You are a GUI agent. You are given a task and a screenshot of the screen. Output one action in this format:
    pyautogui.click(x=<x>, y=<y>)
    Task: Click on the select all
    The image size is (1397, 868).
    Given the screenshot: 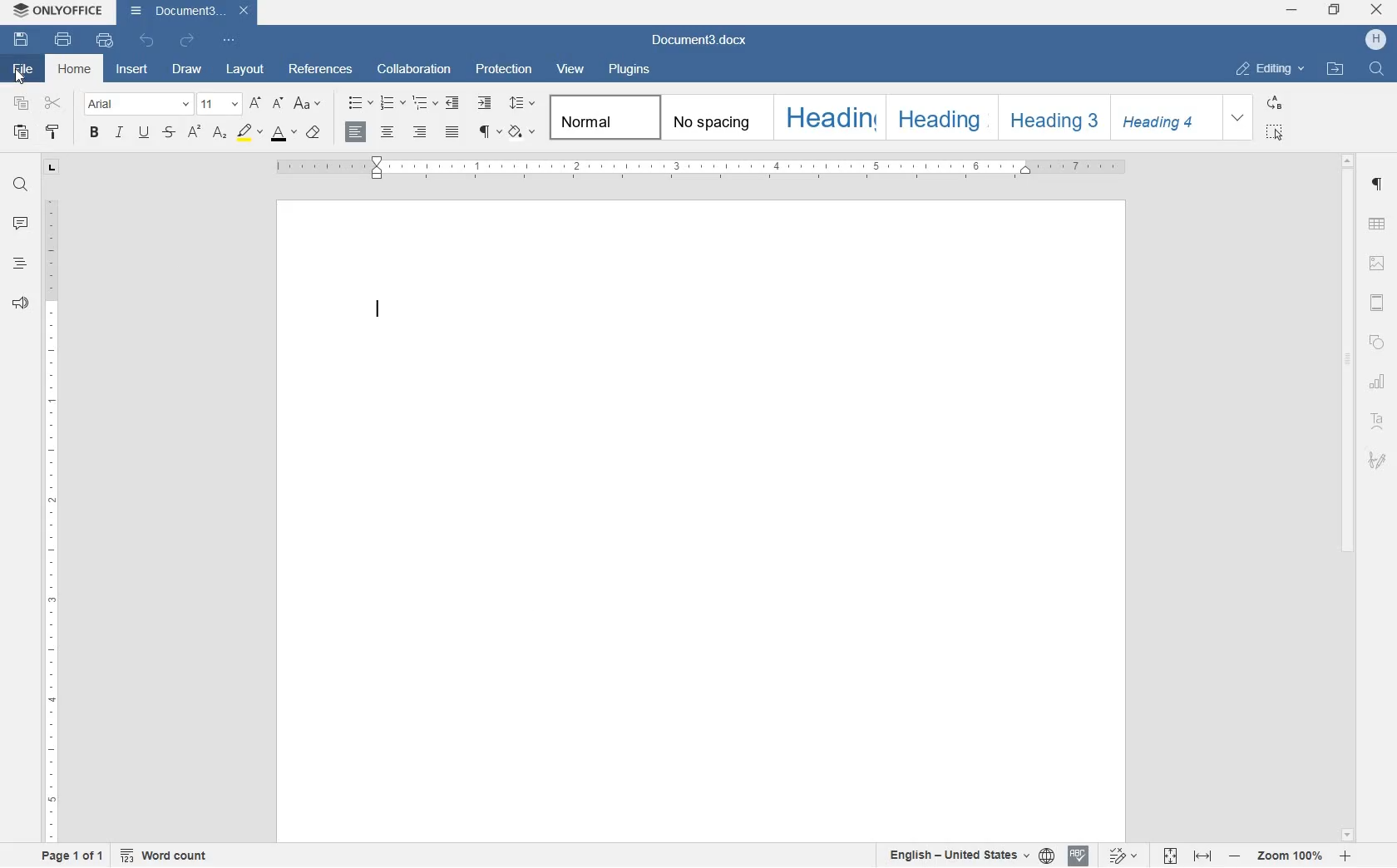 What is the action you would take?
    pyautogui.click(x=1274, y=132)
    